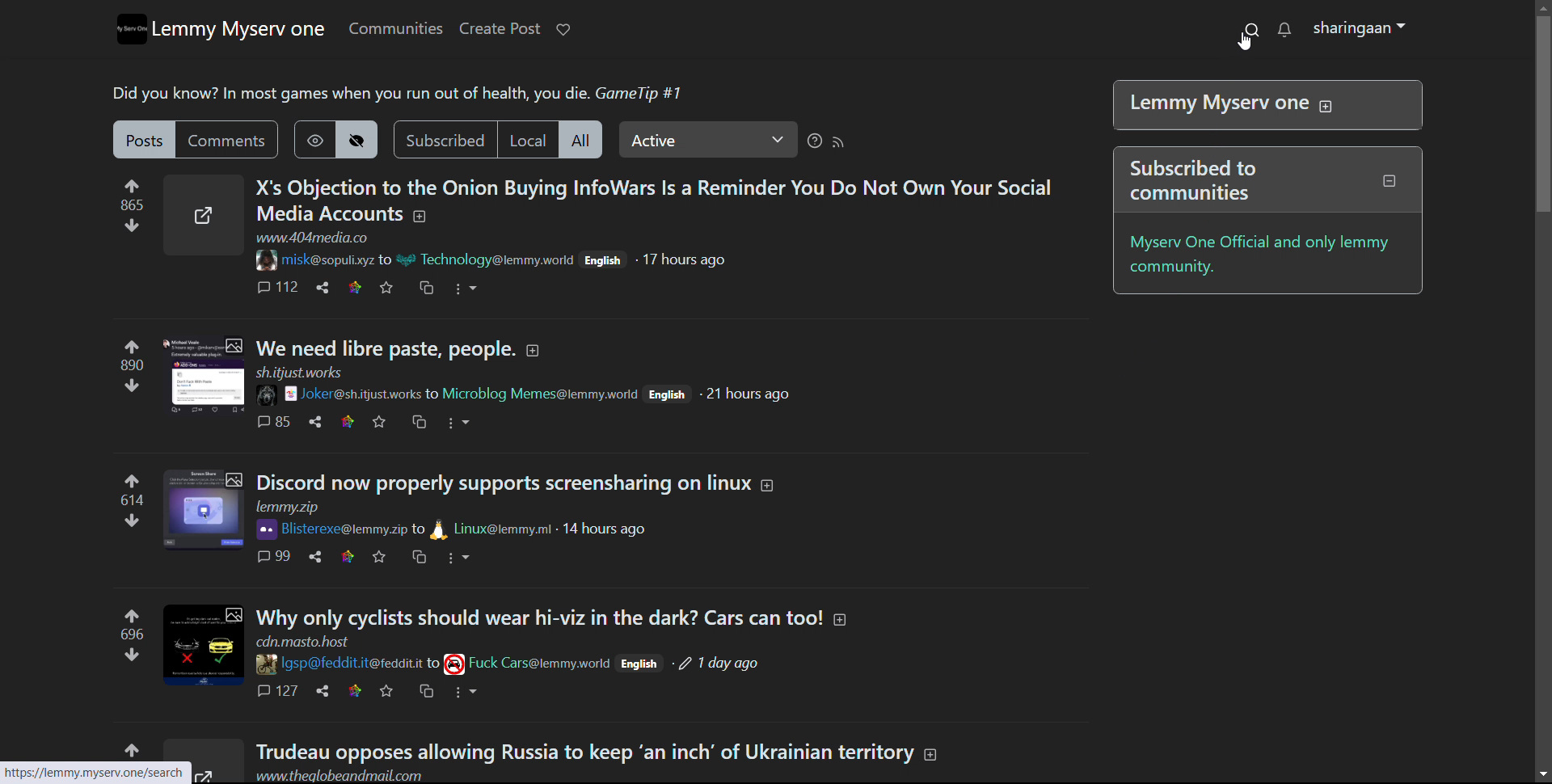 This screenshot has height=784, width=1552. What do you see at coordinates (426, 288) in the screenshot?
I see `cross post` at bounding box center [426, 288].